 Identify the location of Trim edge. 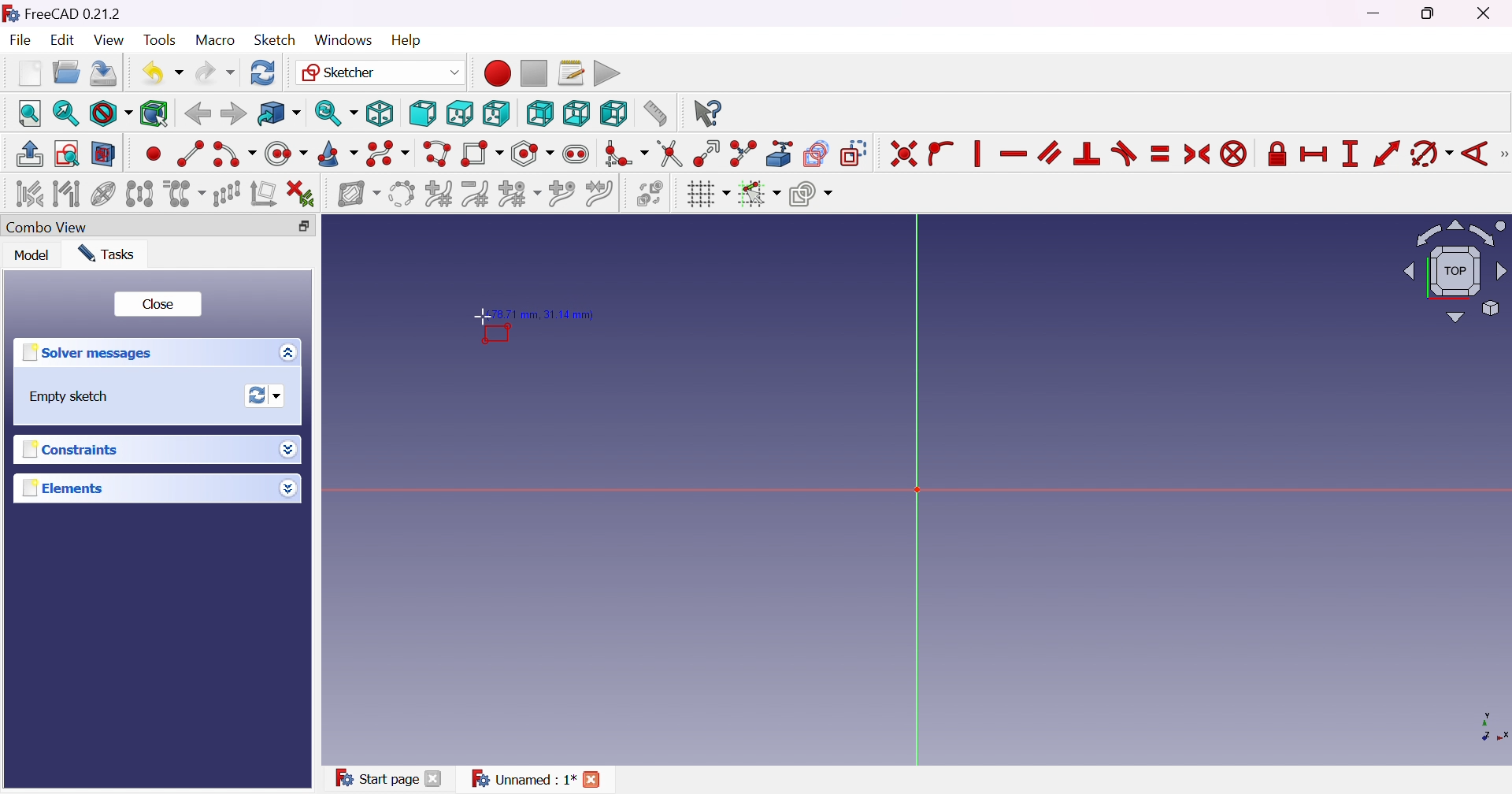
(671, 154).